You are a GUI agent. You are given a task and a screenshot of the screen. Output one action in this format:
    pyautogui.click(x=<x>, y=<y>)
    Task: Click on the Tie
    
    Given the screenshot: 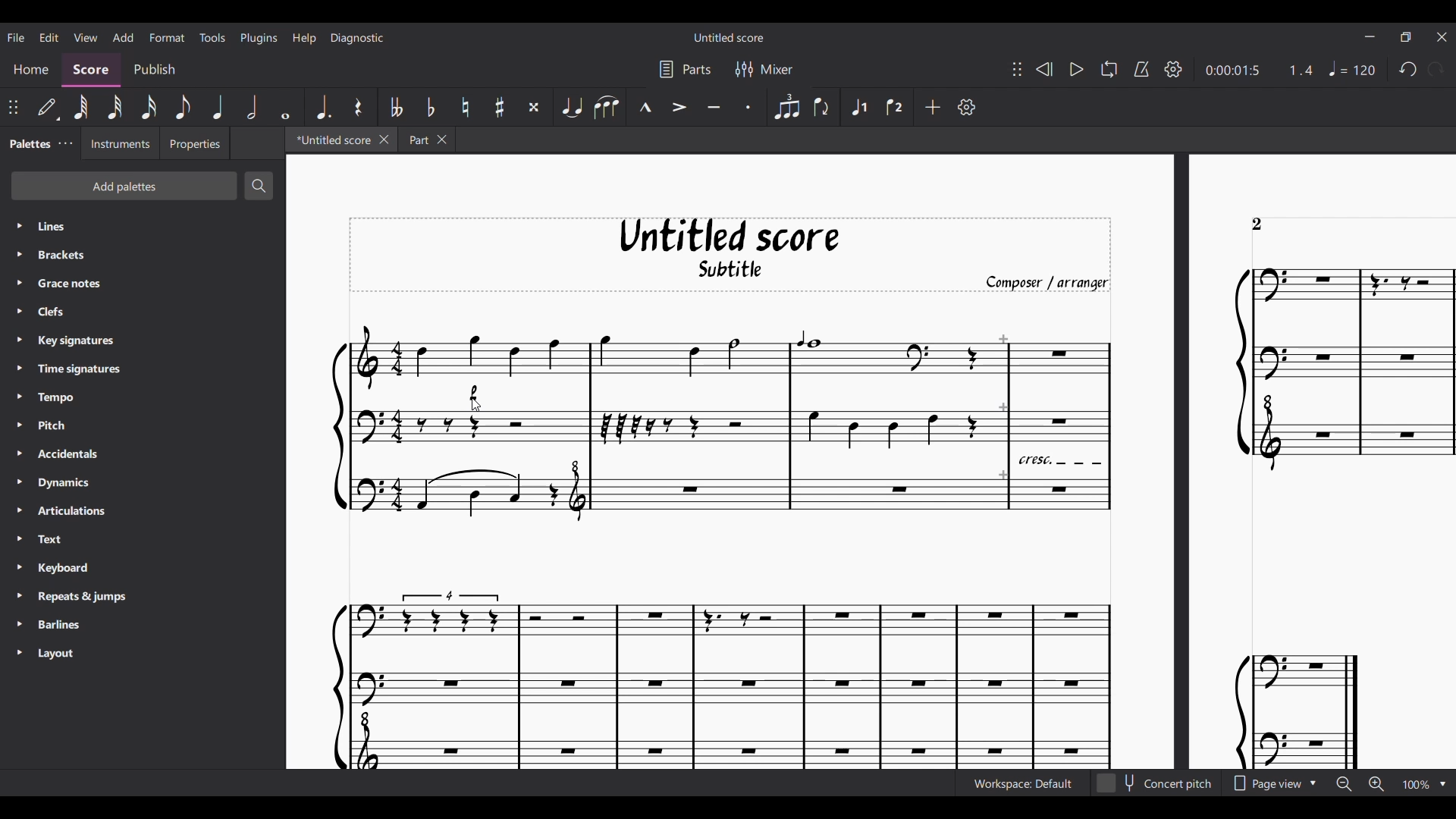 What is the action you would take?
    pyautogui.click(x=571, y=107)
    